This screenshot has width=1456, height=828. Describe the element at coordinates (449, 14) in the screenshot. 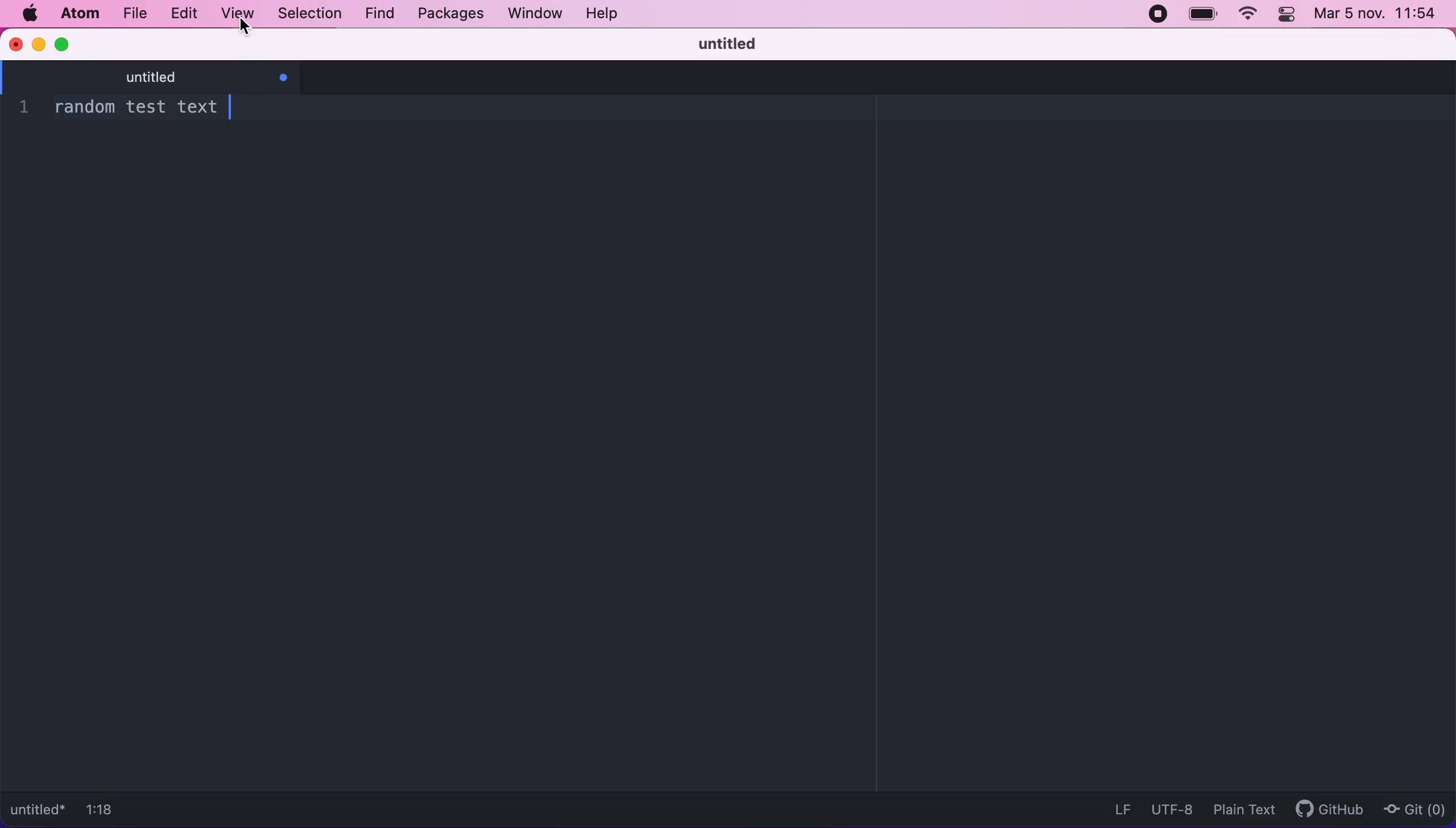

I see `packages` at that location.